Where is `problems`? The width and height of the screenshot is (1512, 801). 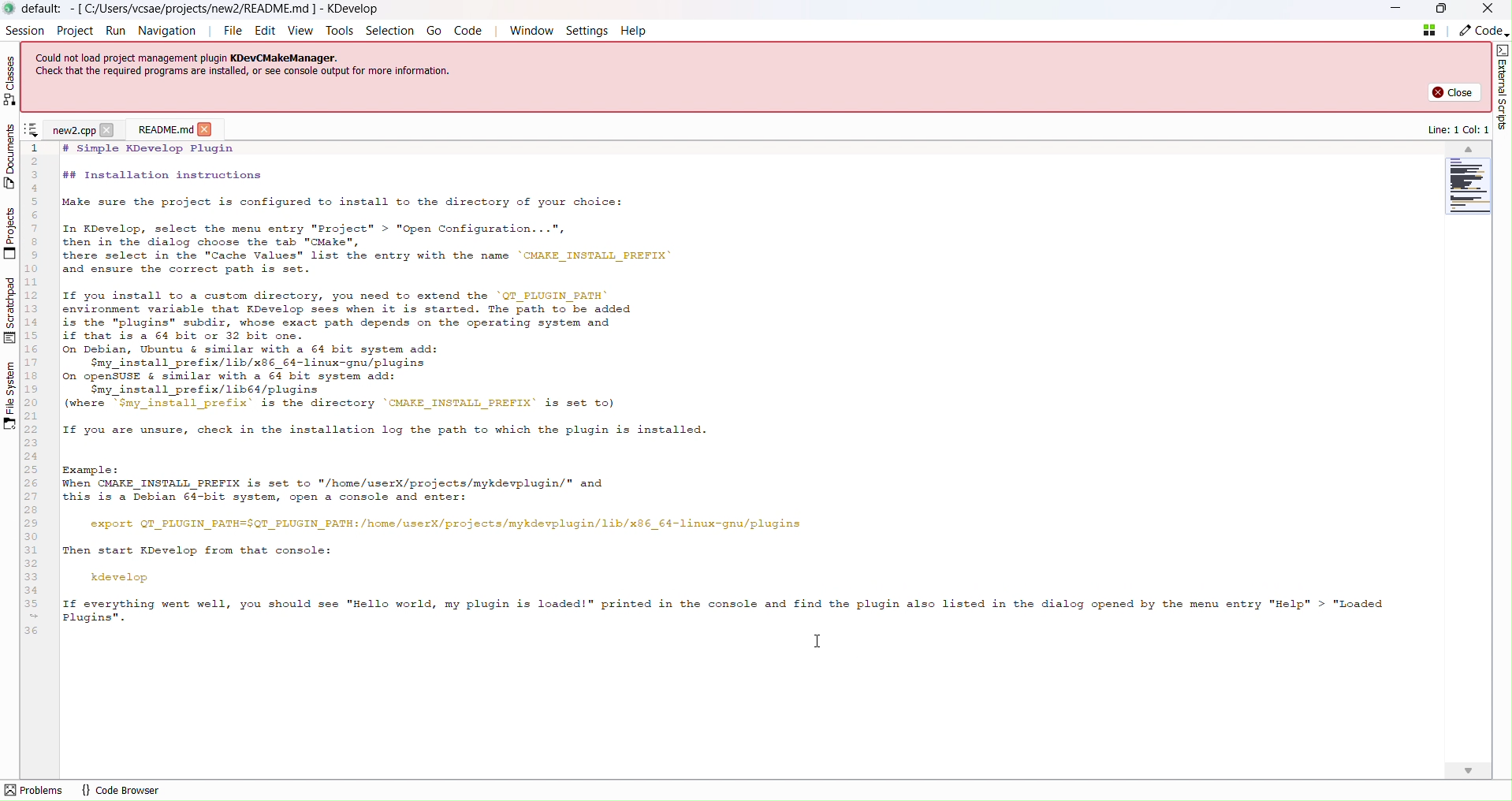 problems is located at coordinates (35, 790).